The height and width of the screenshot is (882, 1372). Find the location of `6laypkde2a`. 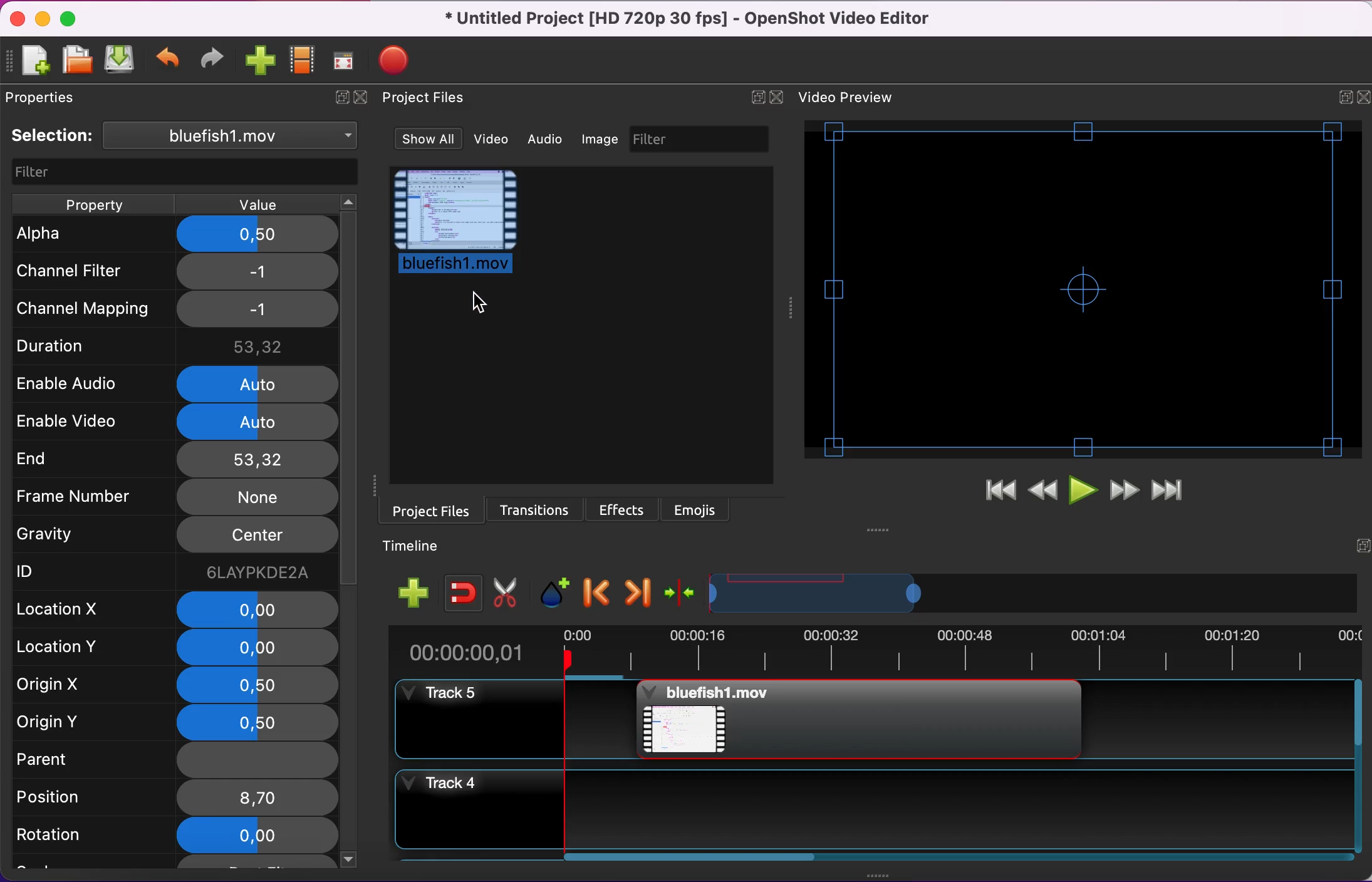

6laypkde2a is located at coordinates (257, 573).